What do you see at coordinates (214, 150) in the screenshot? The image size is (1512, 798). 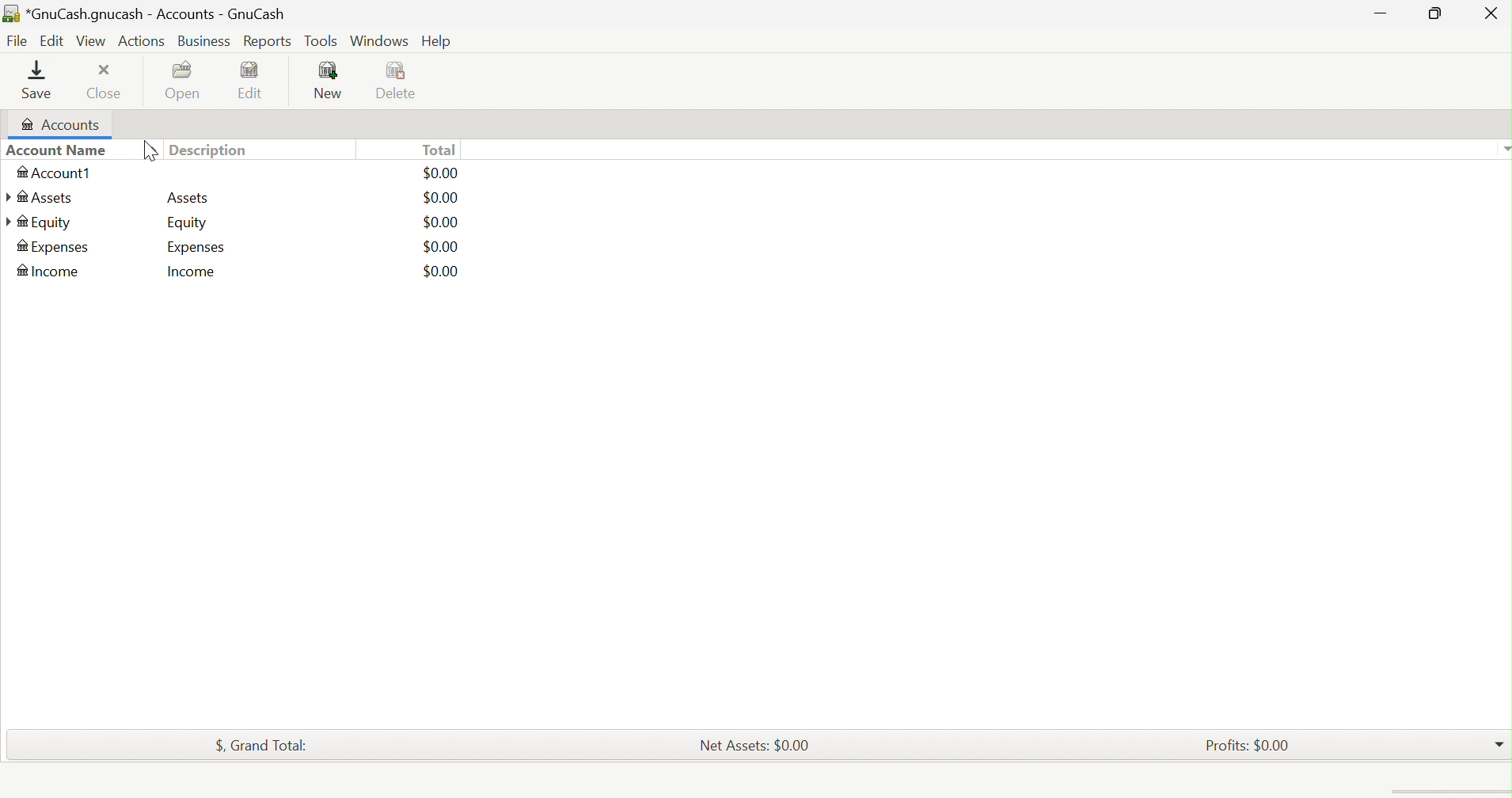 I see `Description` at bounding box center [214, 150].